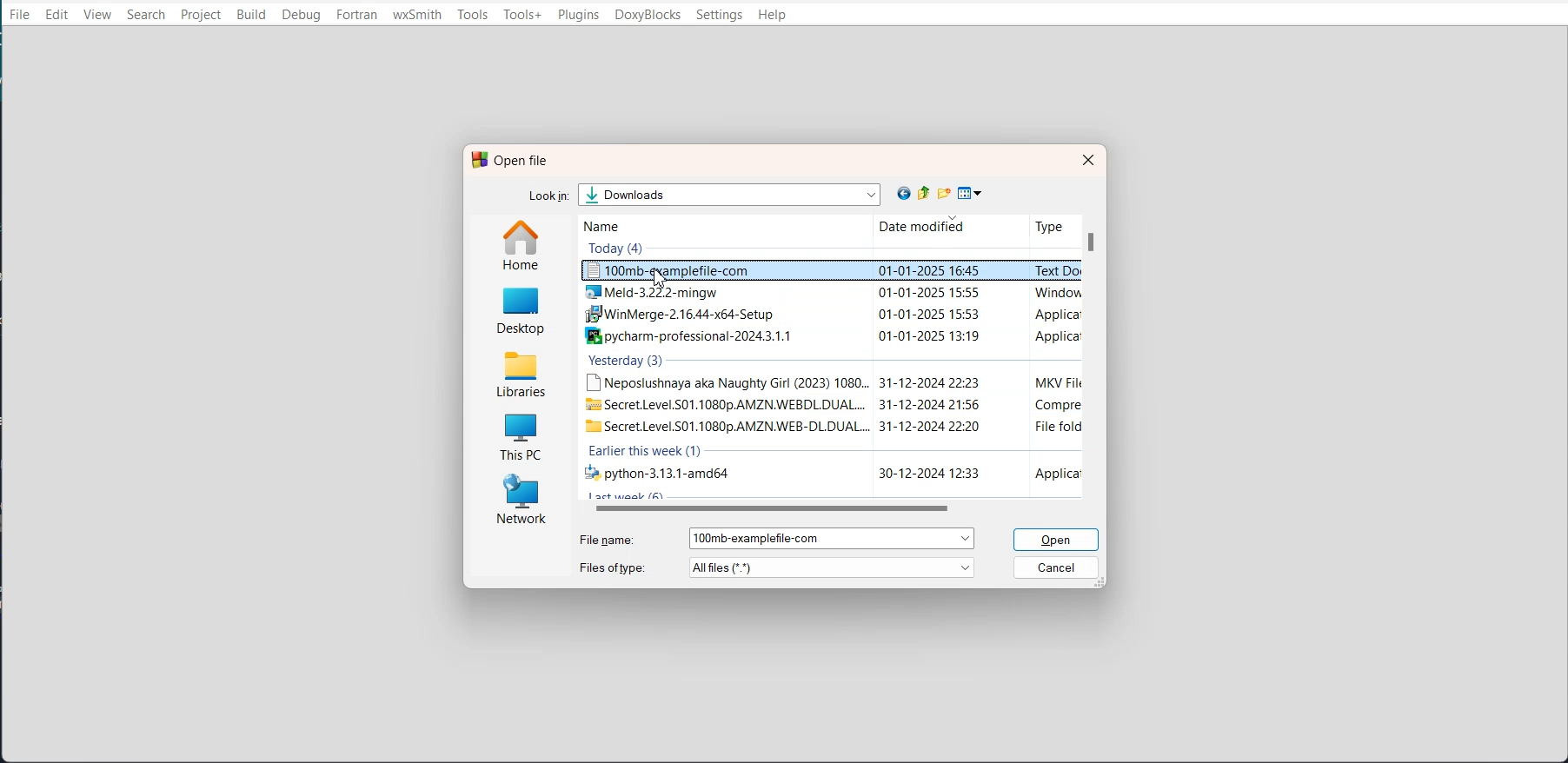  I want to click on Libraries, so click(522, 371).